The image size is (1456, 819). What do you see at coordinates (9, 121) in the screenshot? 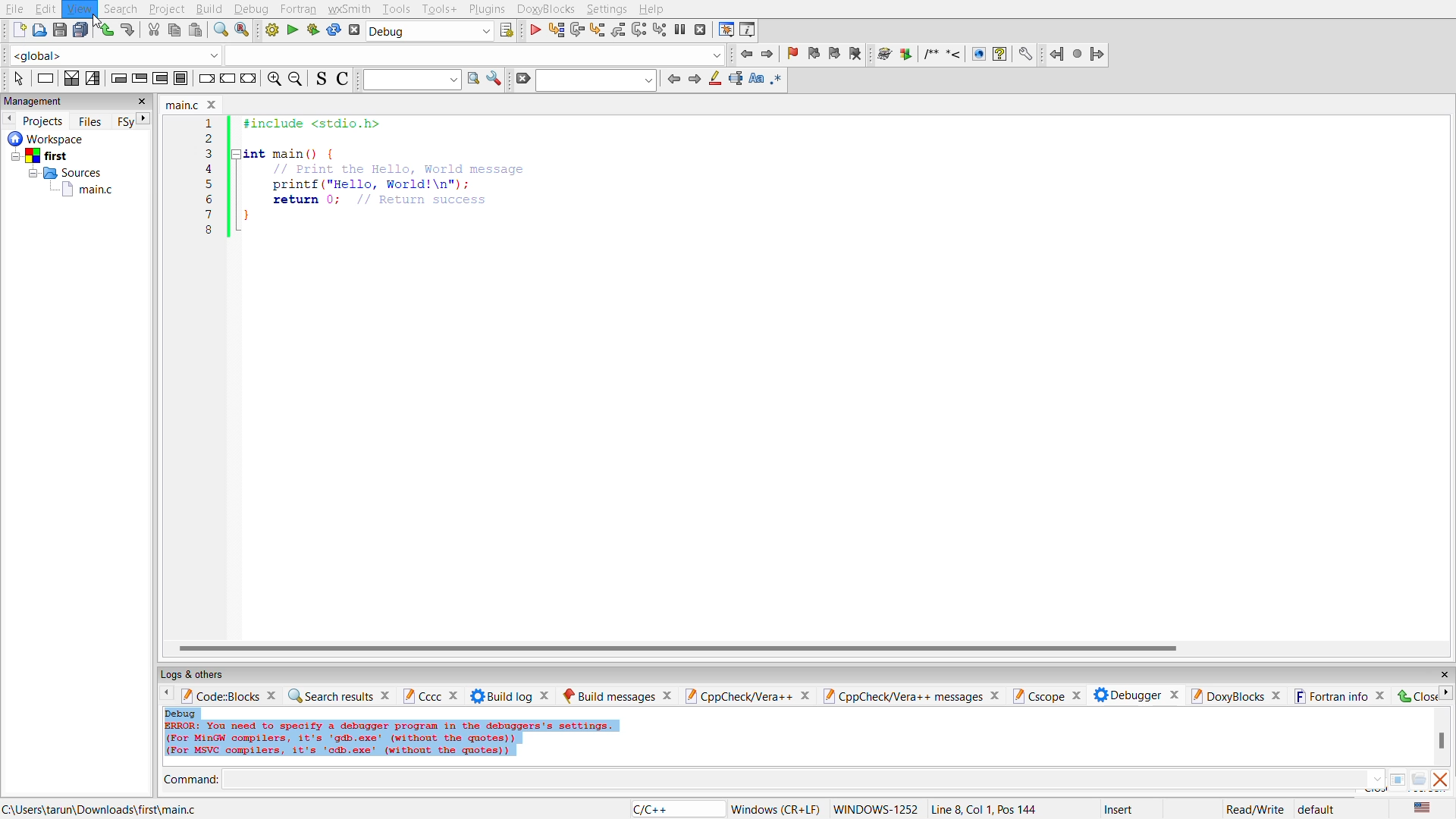
I see `previous` at bounding box center [9, 121].